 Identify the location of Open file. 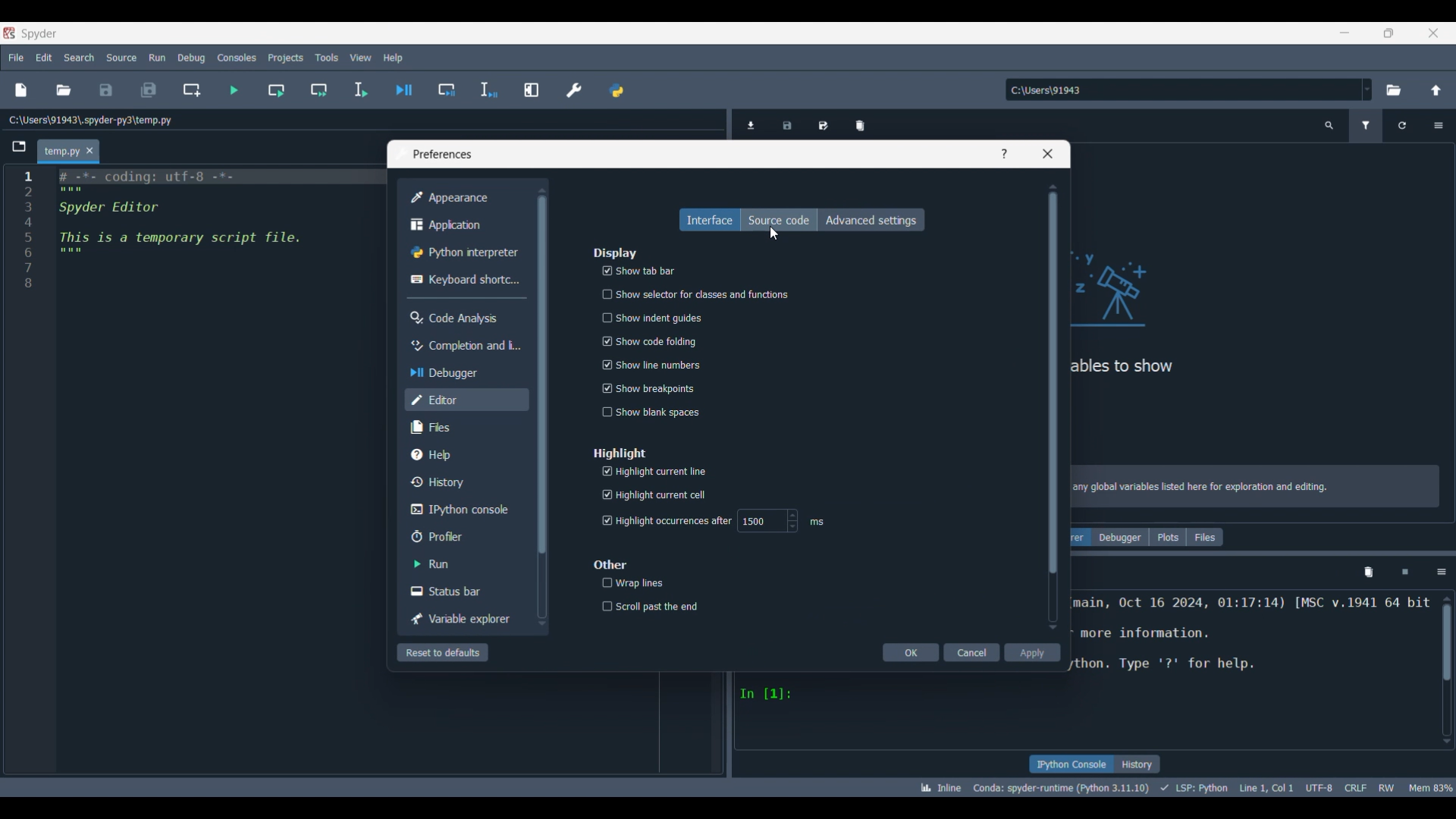
(64, 90).